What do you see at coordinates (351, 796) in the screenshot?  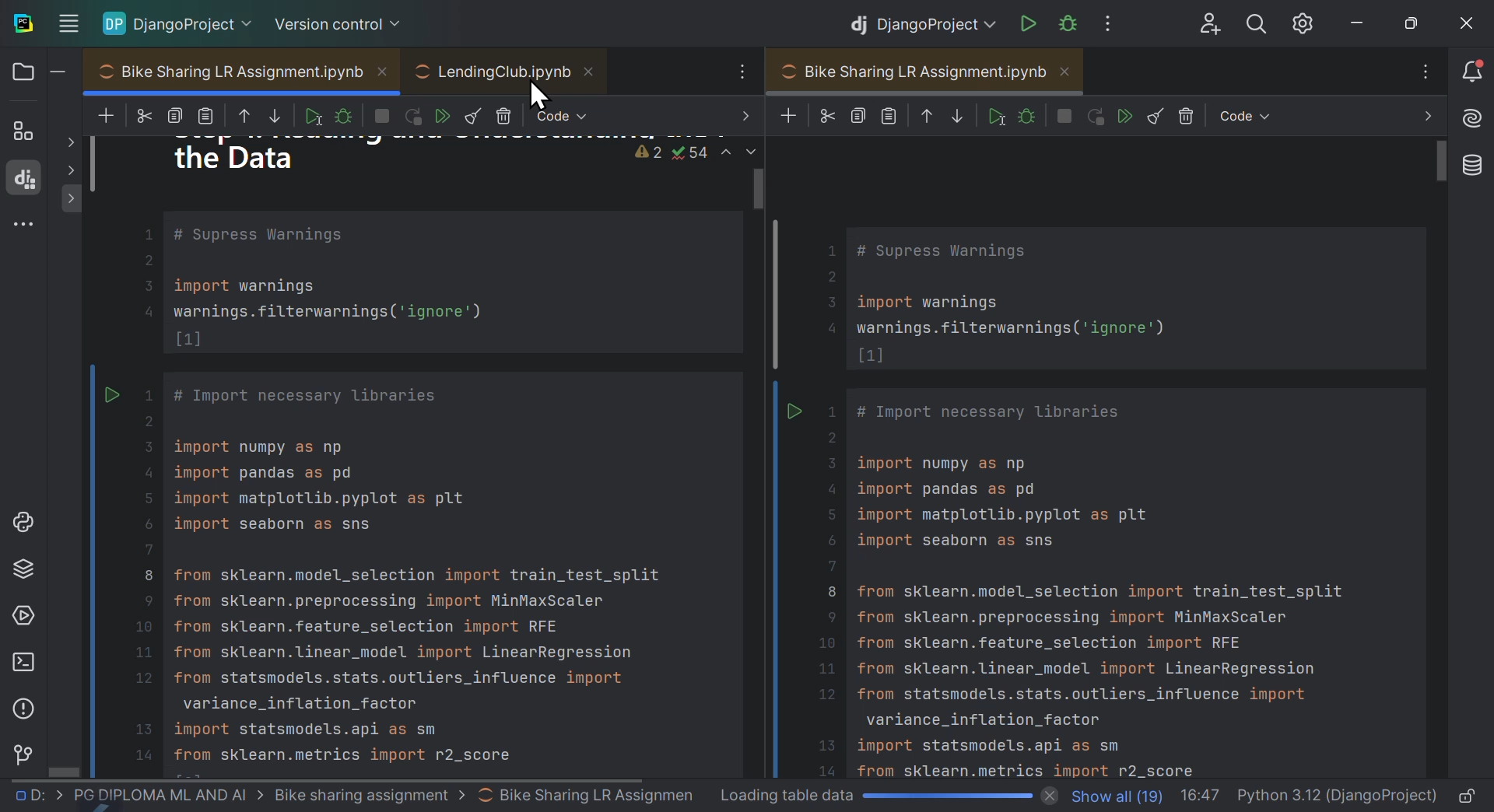 I see `file path` at bounding box center [351, 796].